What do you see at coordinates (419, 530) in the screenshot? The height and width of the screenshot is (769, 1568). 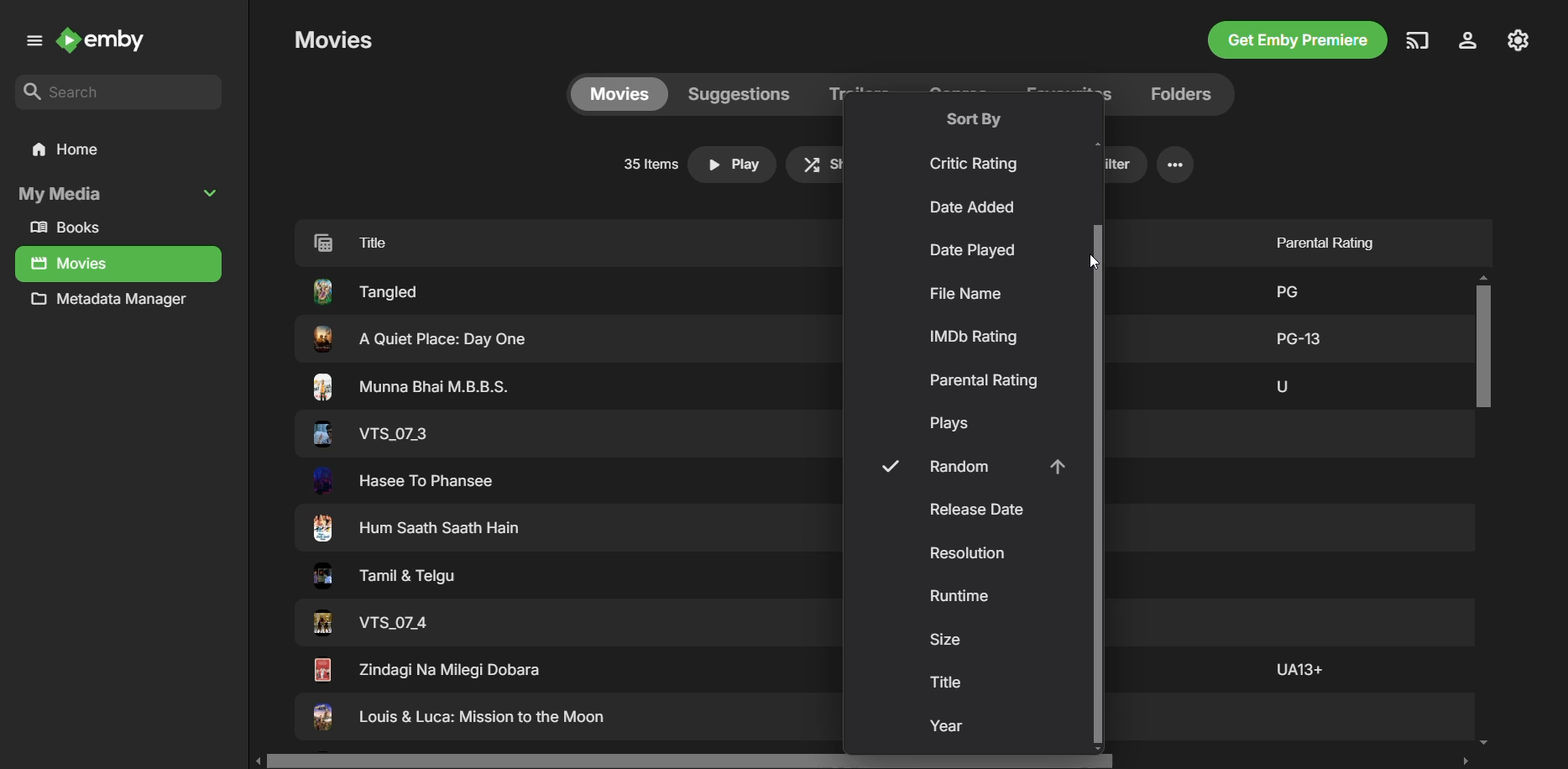 I see `` at bounding box center [419, 530].